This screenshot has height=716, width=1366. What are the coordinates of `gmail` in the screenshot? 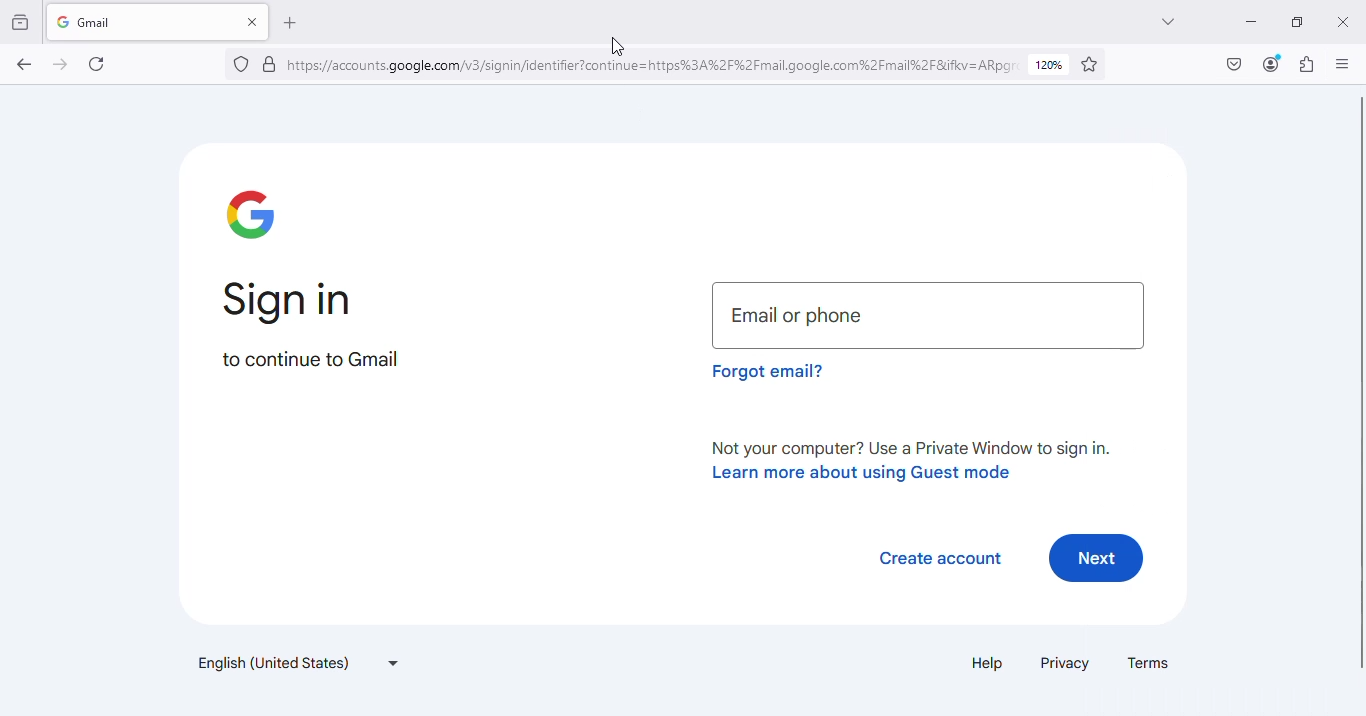 It's located at (124, 22).